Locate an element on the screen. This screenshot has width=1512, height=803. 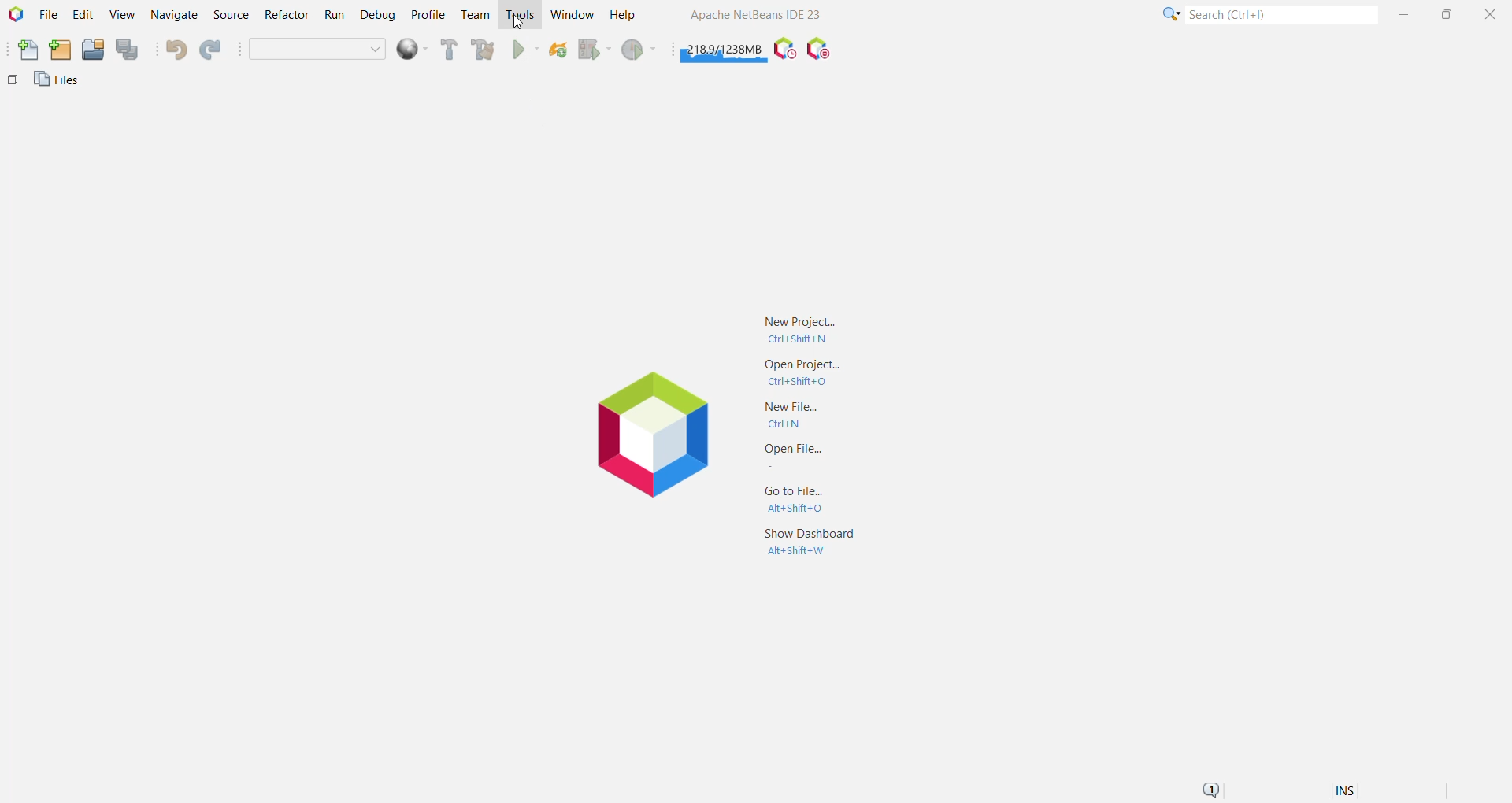
 is located at coordinates (412, 50).